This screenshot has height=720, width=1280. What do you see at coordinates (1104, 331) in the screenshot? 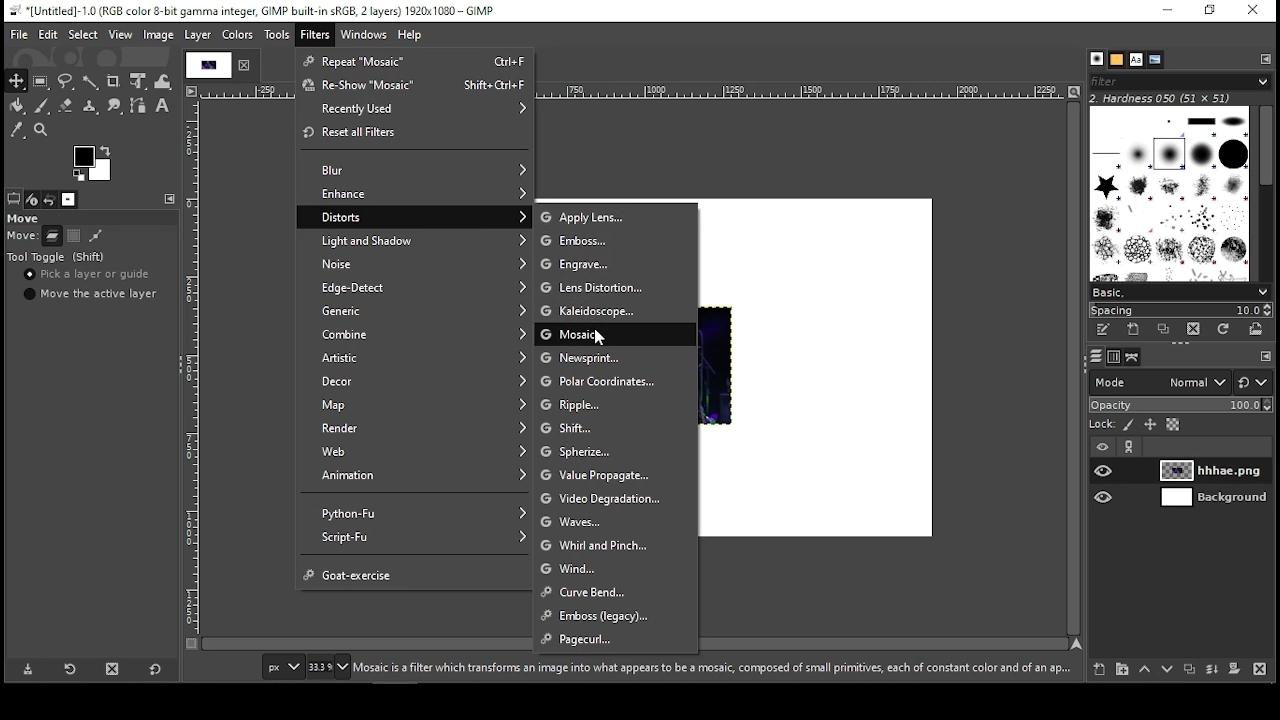
I see `edit this brush` at bounding box center [1104, 331].